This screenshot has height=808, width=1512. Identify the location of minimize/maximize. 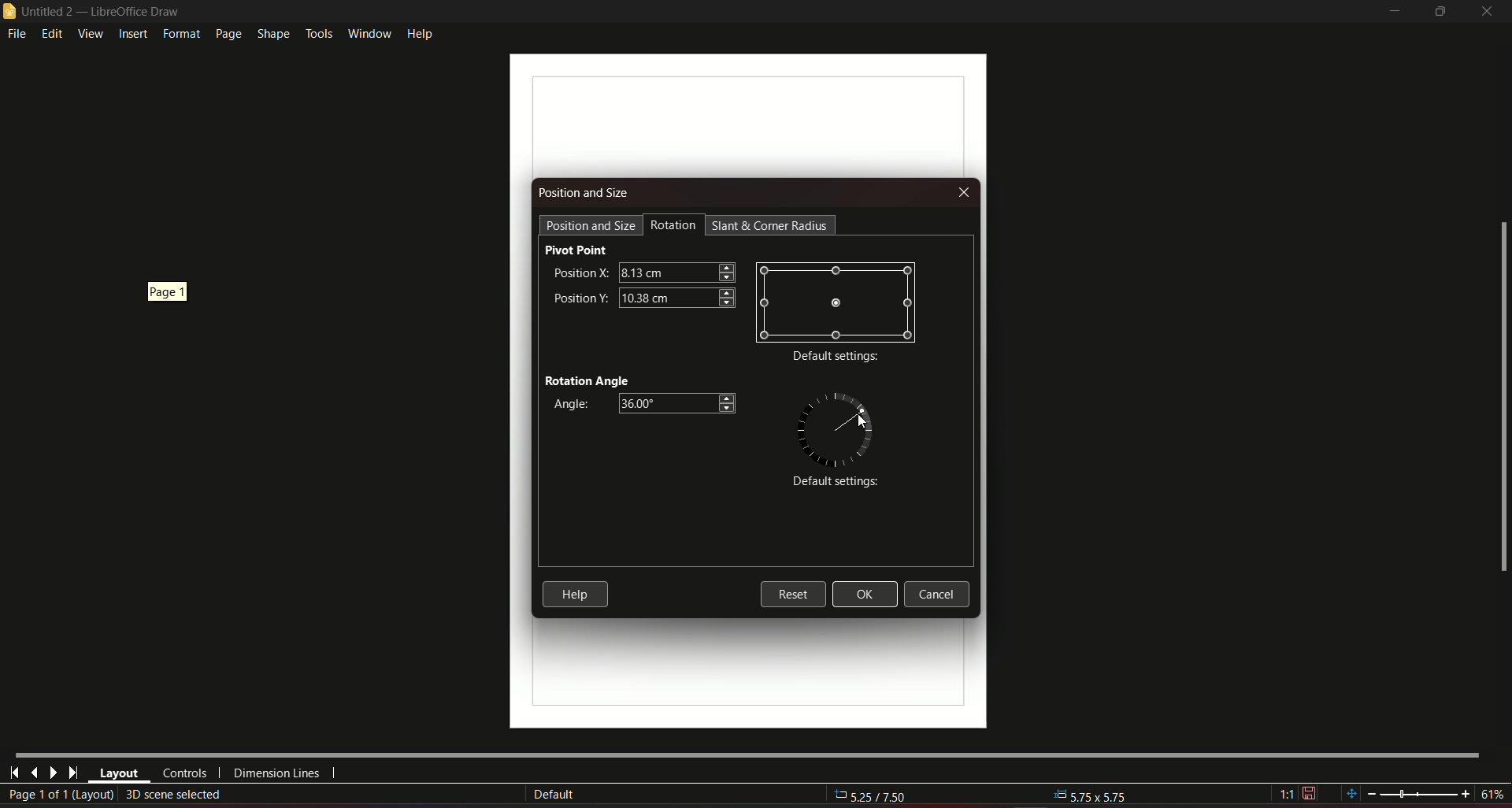
(1440, 12).